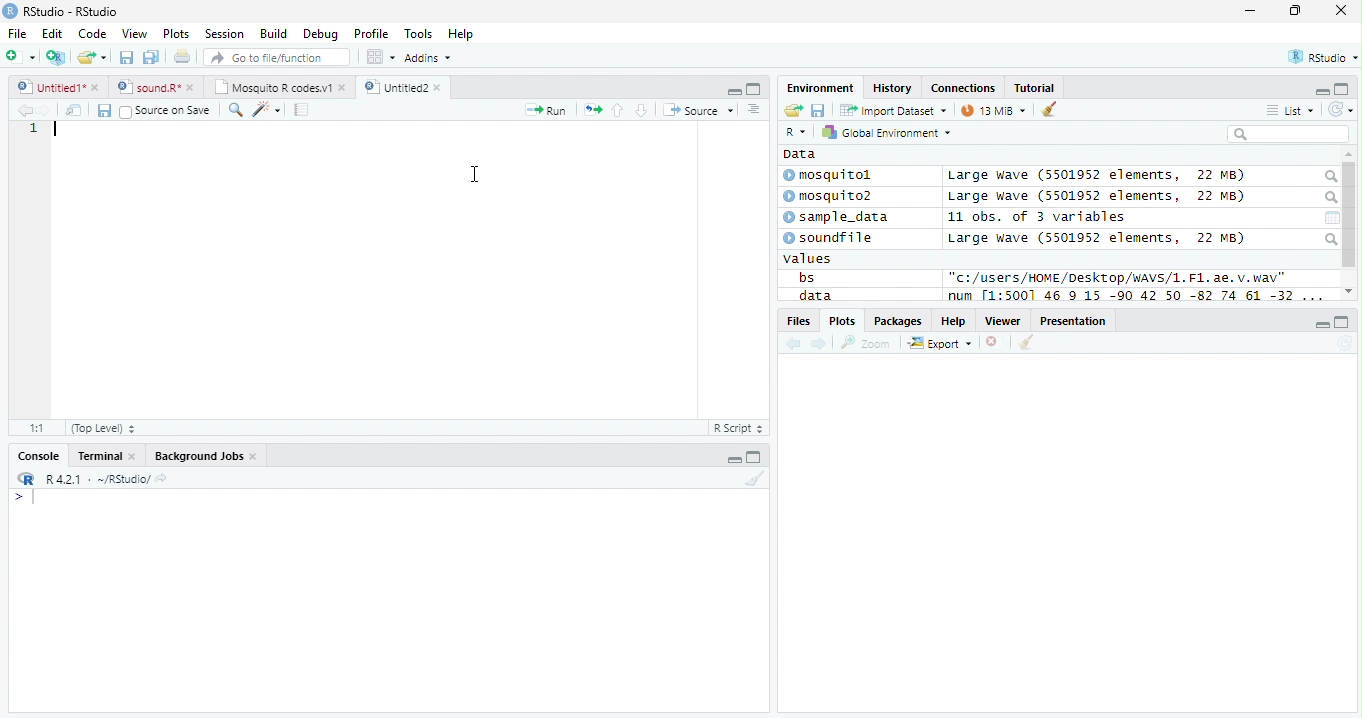 Image resolution: width=1362 pixels, height=718 pixels. I want to click on Untitled2, so click(405, 88).